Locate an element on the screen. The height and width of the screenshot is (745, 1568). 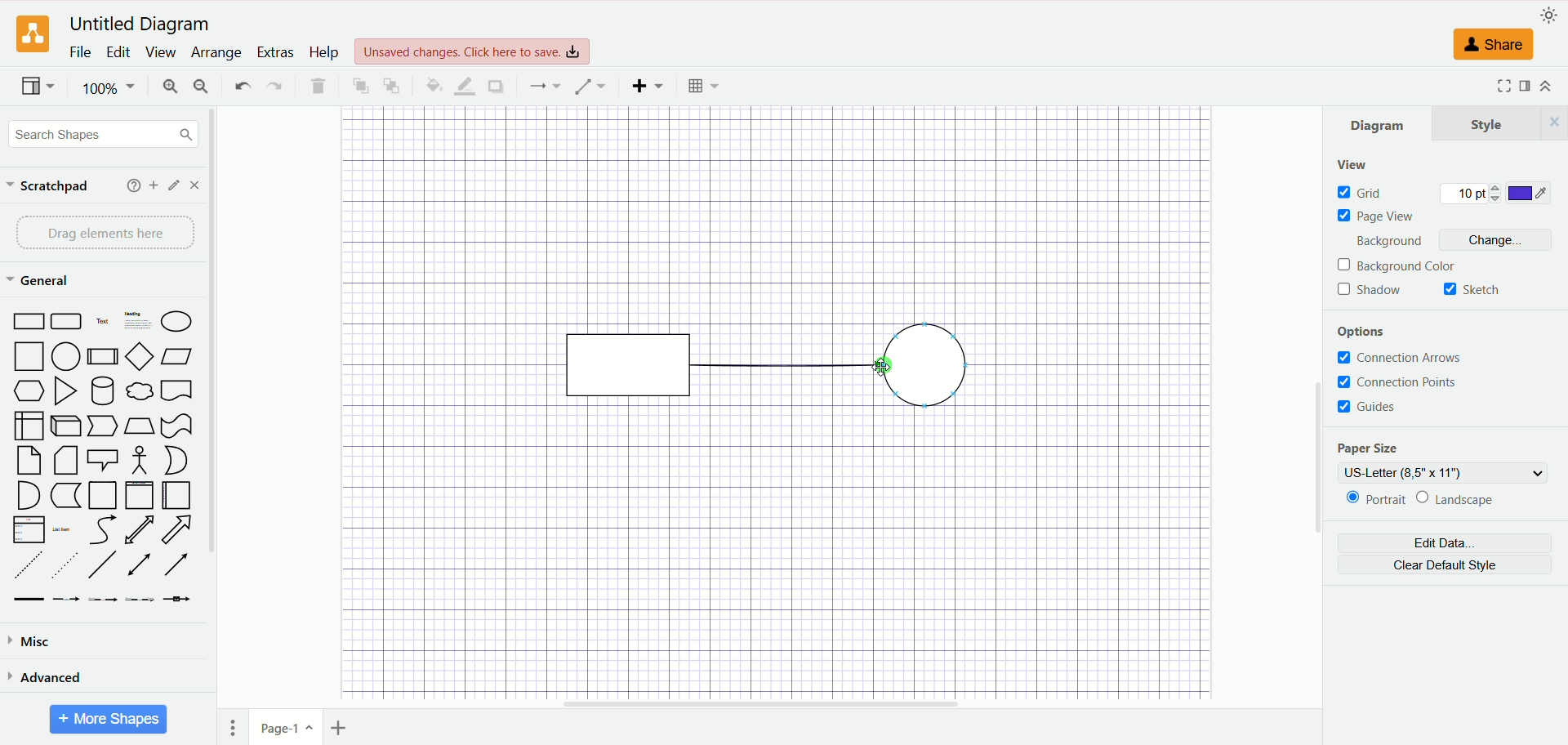
Parallelogram is located at coordinates (176, 356).